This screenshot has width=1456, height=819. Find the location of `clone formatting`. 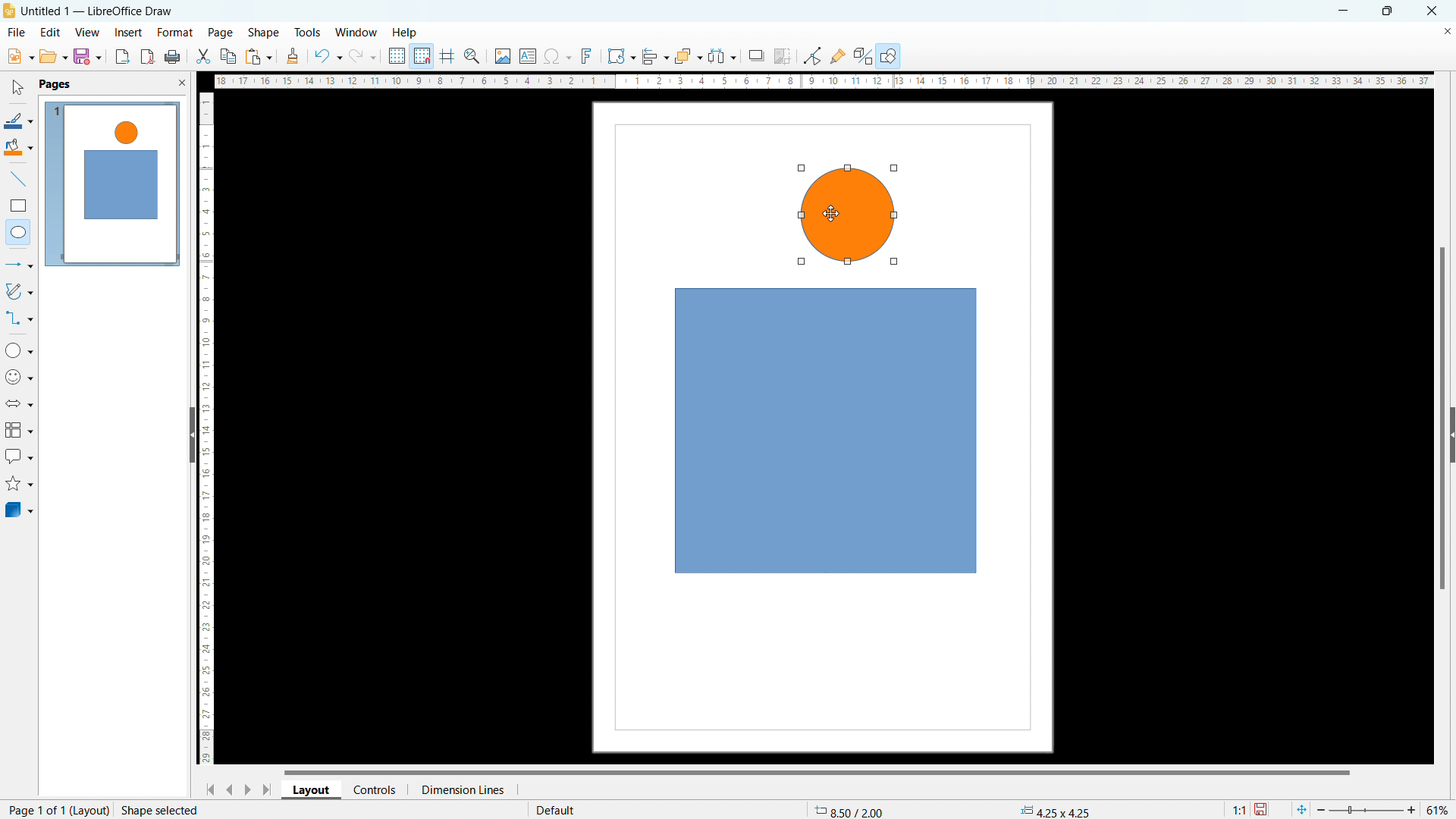

clone formatting is located at coordinates (293, 57).